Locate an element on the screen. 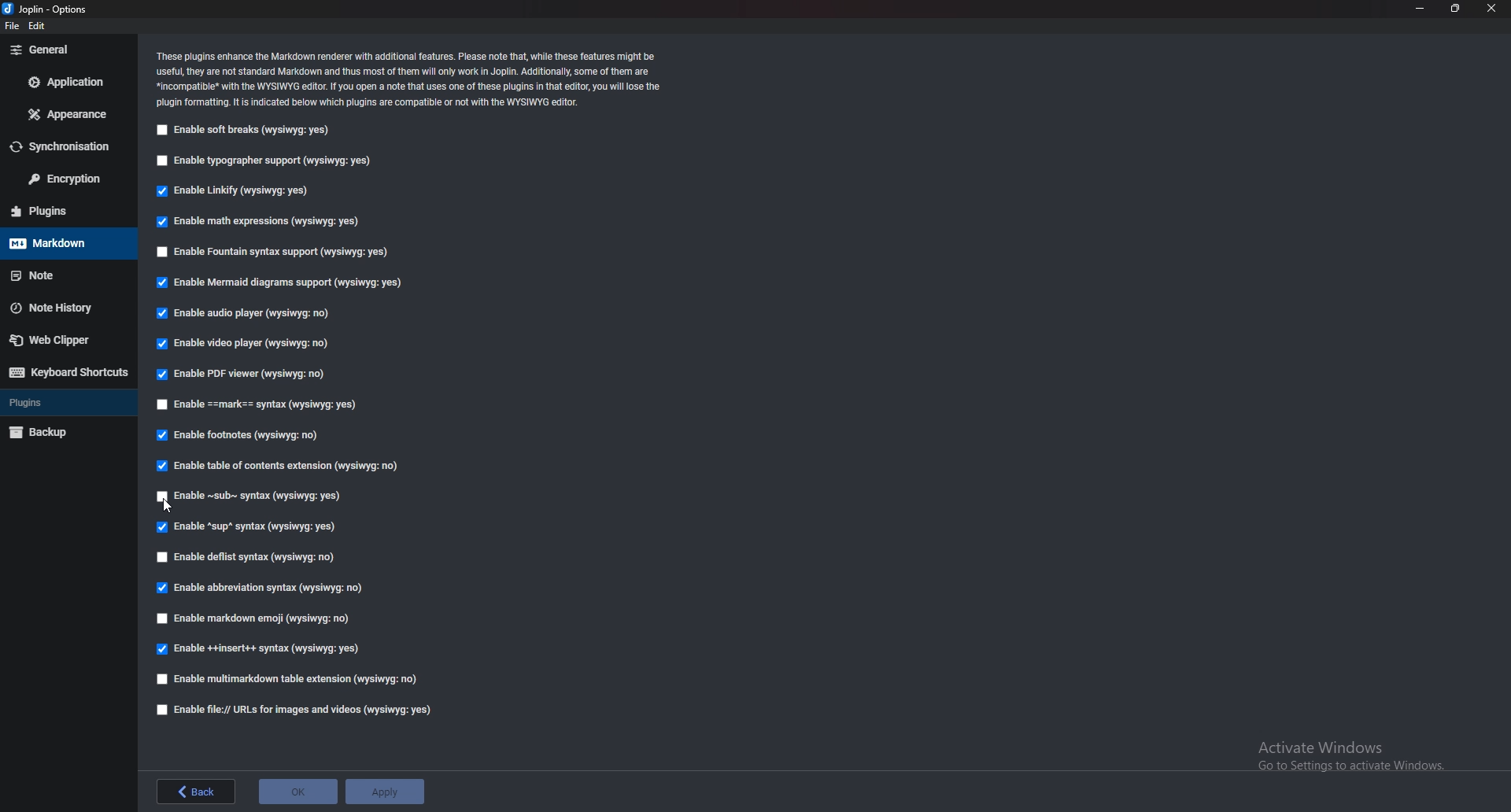 This screenshot has width=1511, height=812. Joblin - options is located at coordinates (65, 10).